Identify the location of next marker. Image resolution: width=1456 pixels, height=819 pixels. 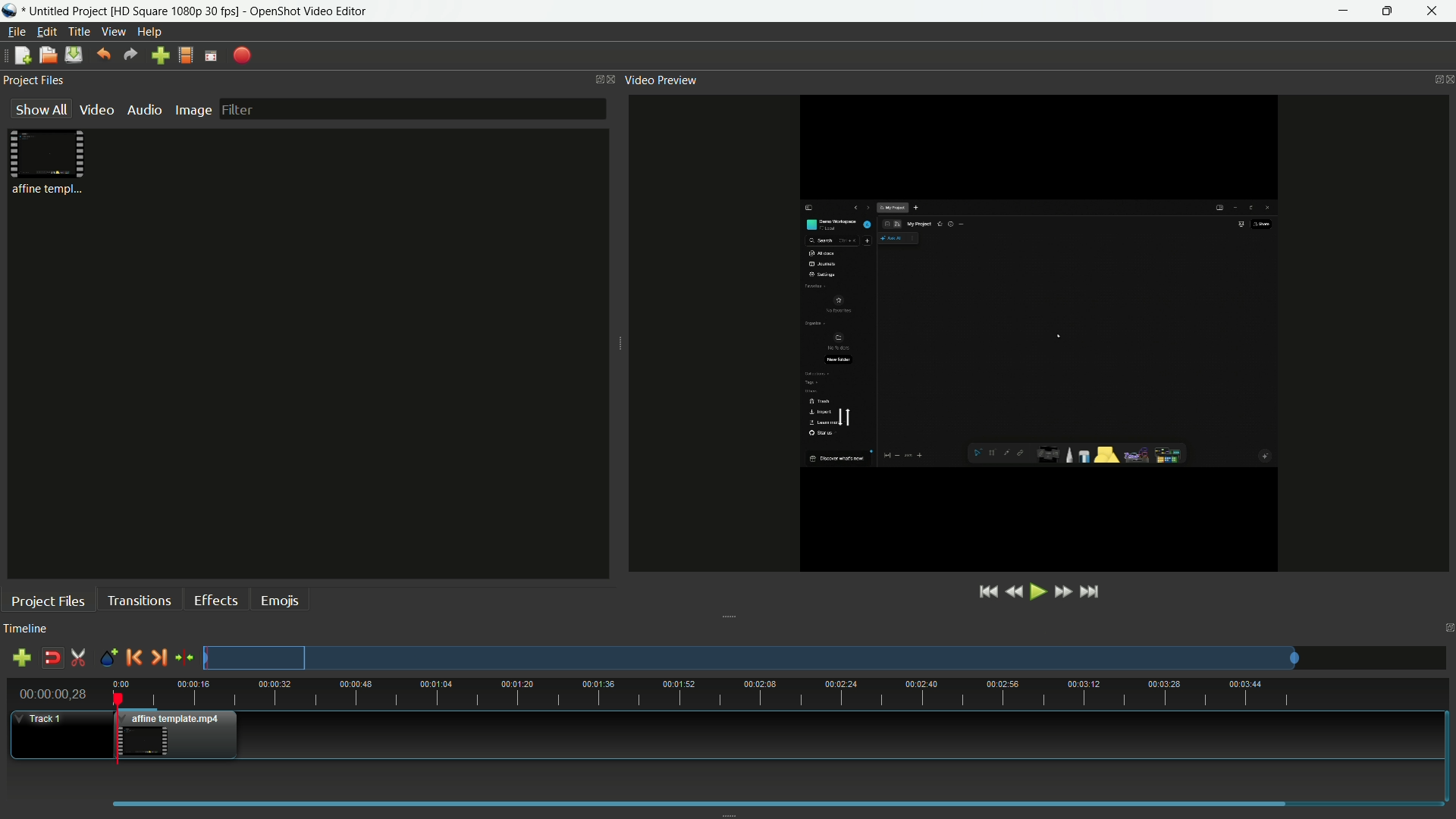
(158, 657).